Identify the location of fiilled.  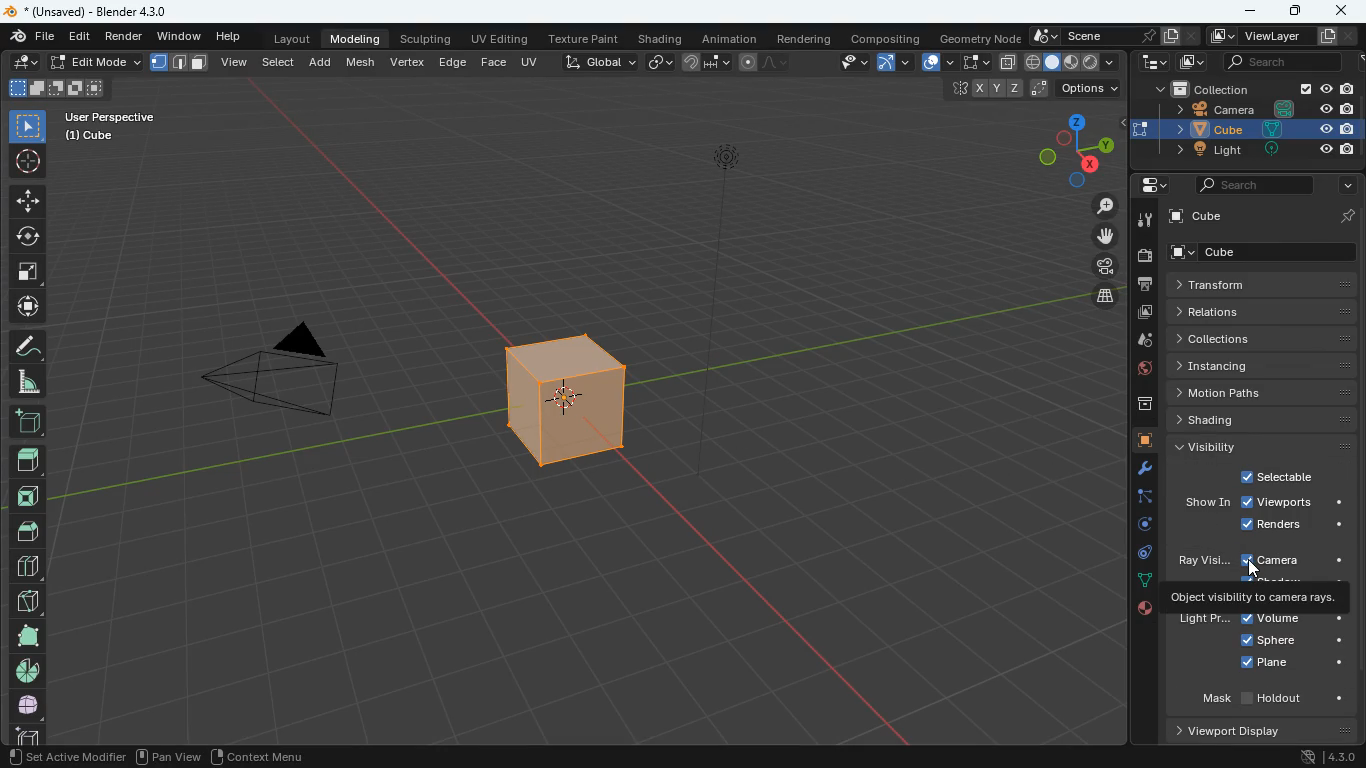
(28, 464).